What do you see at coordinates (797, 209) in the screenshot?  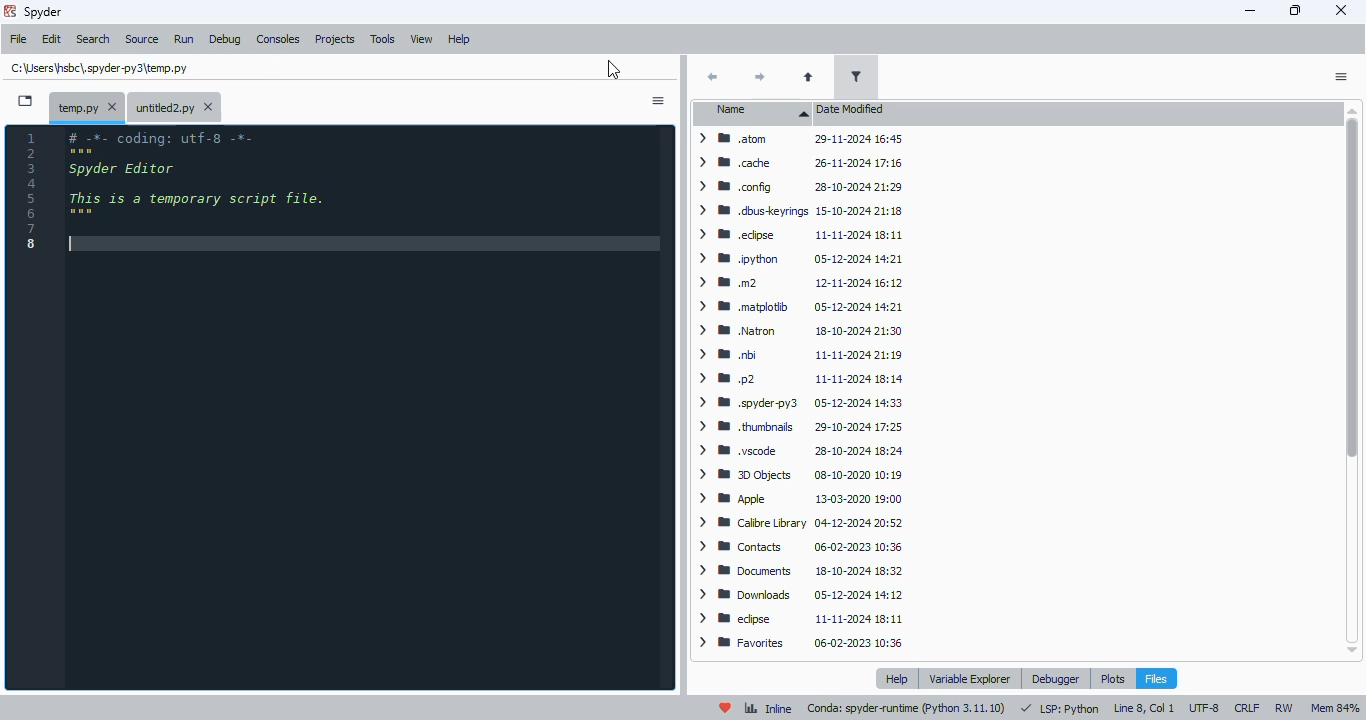 I see `> WM .dbuskeyrings 15-10-2024 21:18` at bounding box center [797, 209].